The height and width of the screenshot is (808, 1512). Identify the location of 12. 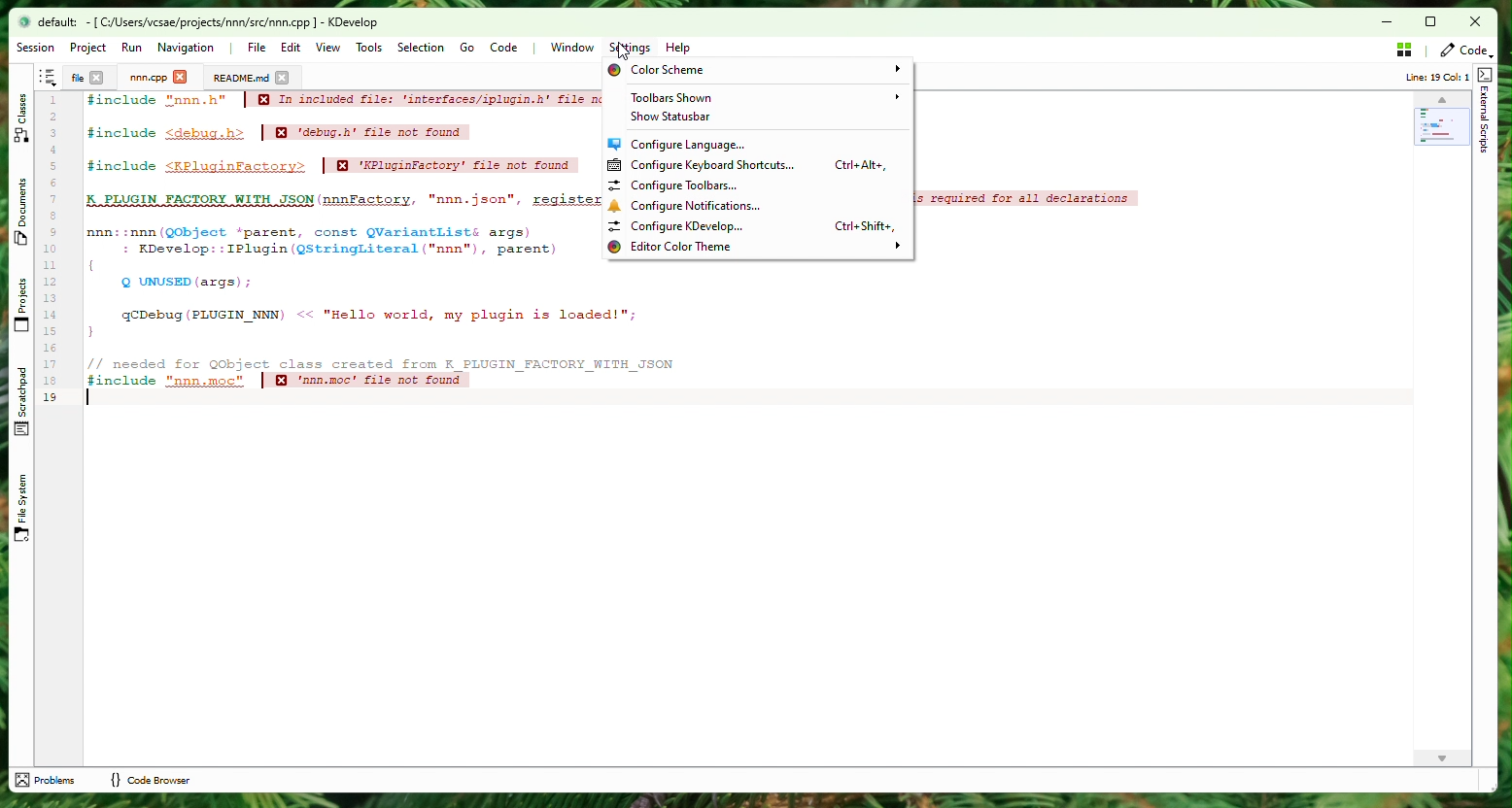
(52, 282).